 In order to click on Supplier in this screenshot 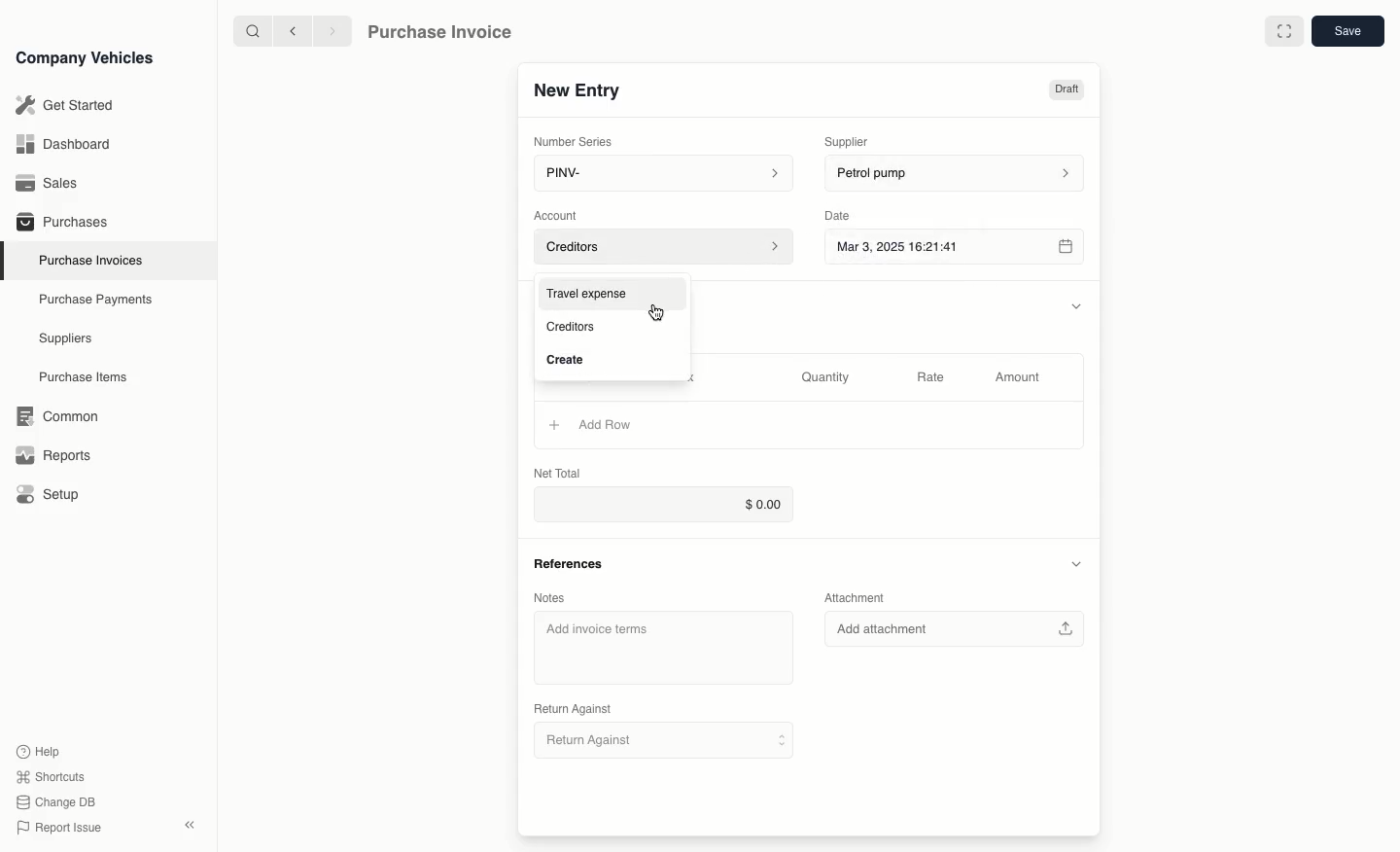, I will do `click(859, 139)`.